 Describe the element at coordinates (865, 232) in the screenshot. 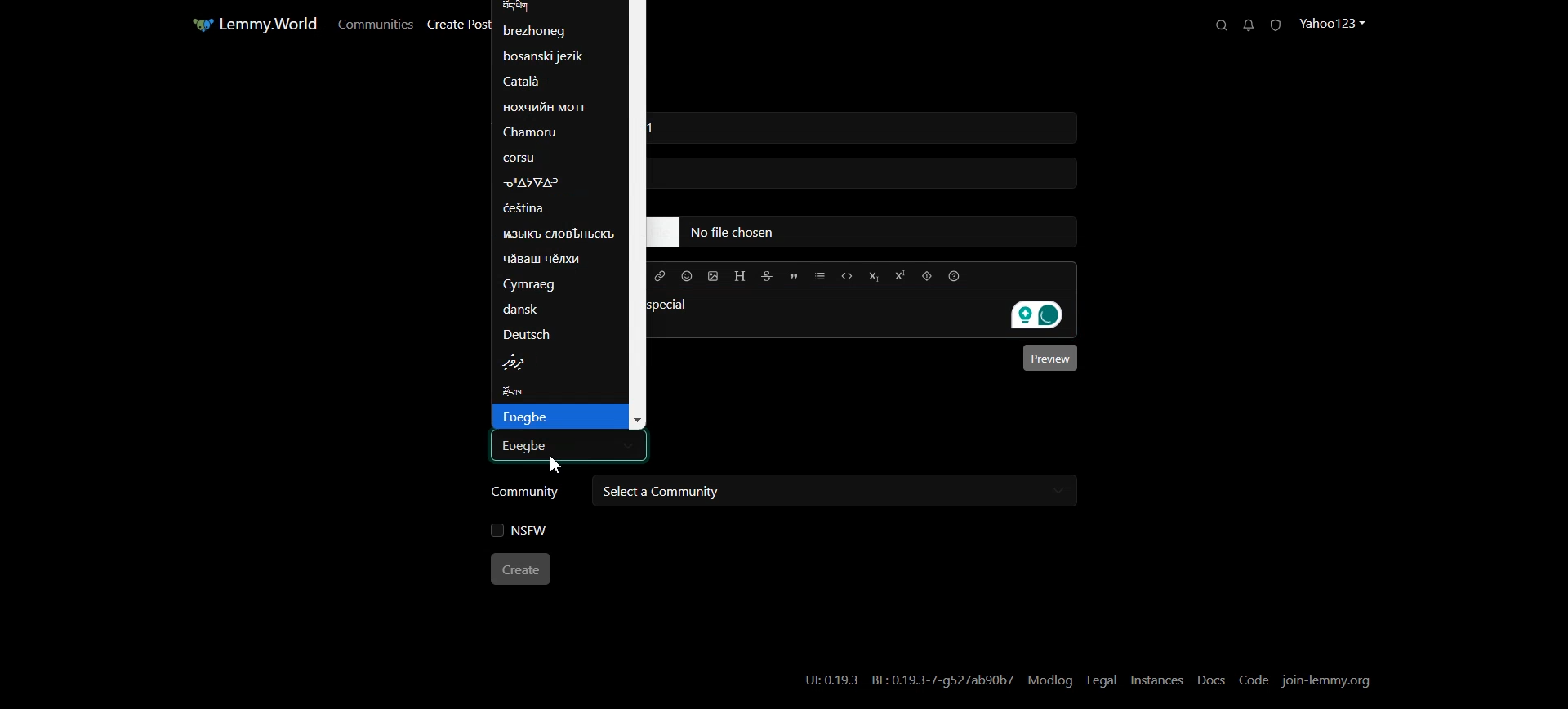

I see `typing field` at that location.